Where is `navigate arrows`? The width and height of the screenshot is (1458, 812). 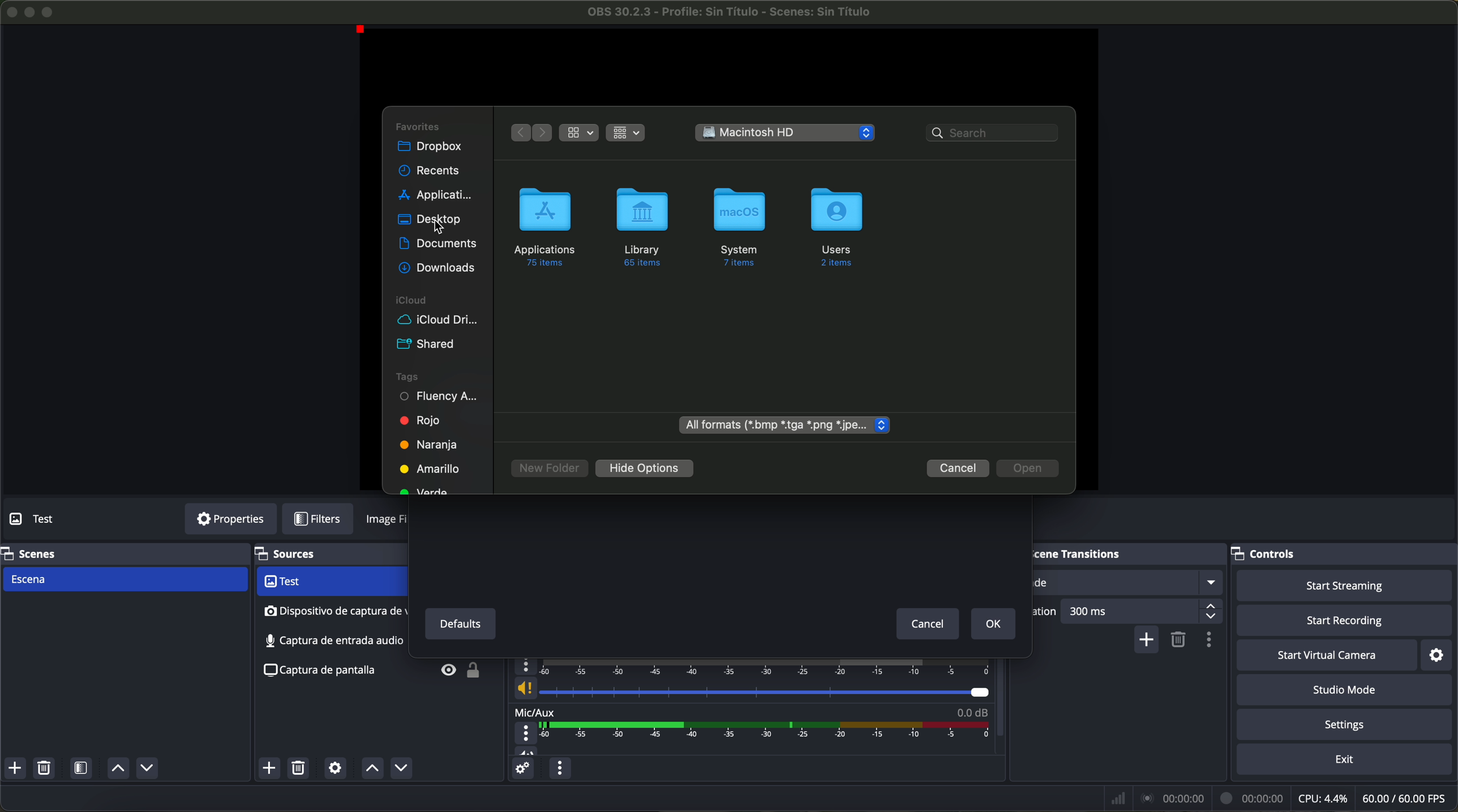
navigate arrows is located at coordinates (531, 132).